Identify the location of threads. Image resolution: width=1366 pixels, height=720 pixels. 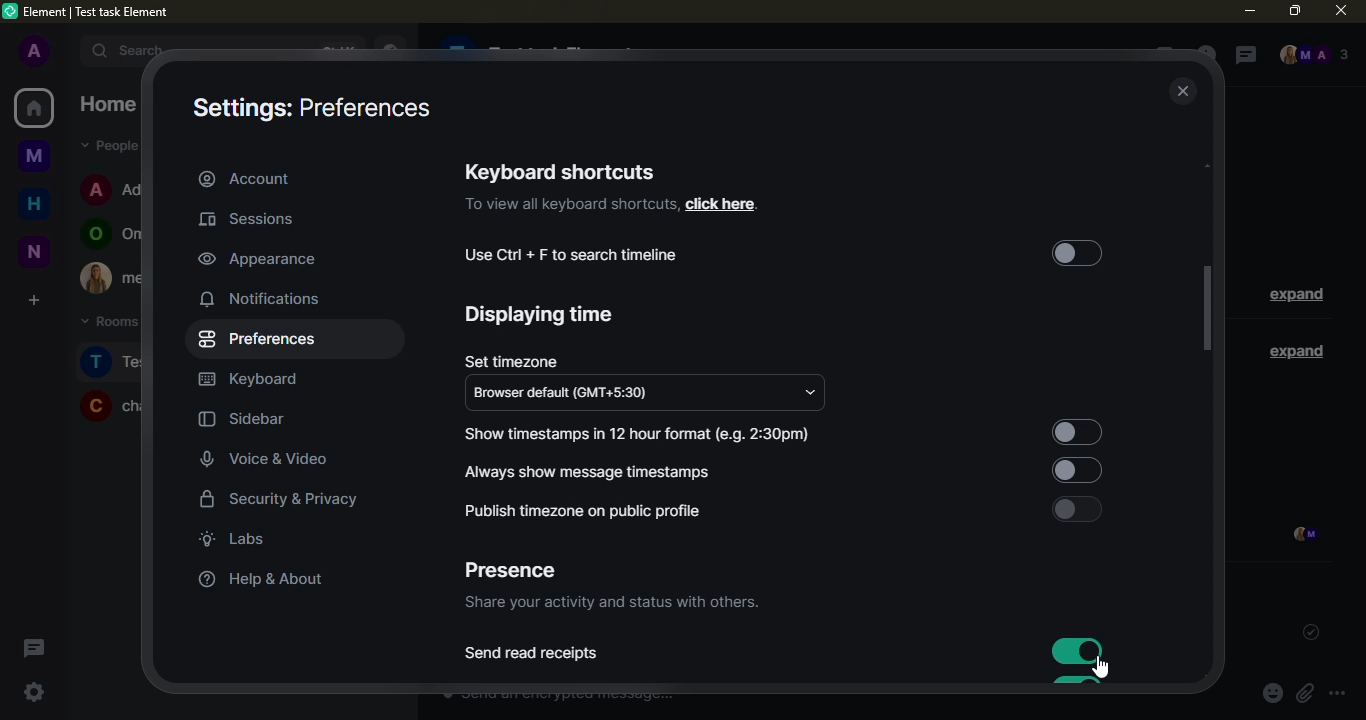
(1242, 56).